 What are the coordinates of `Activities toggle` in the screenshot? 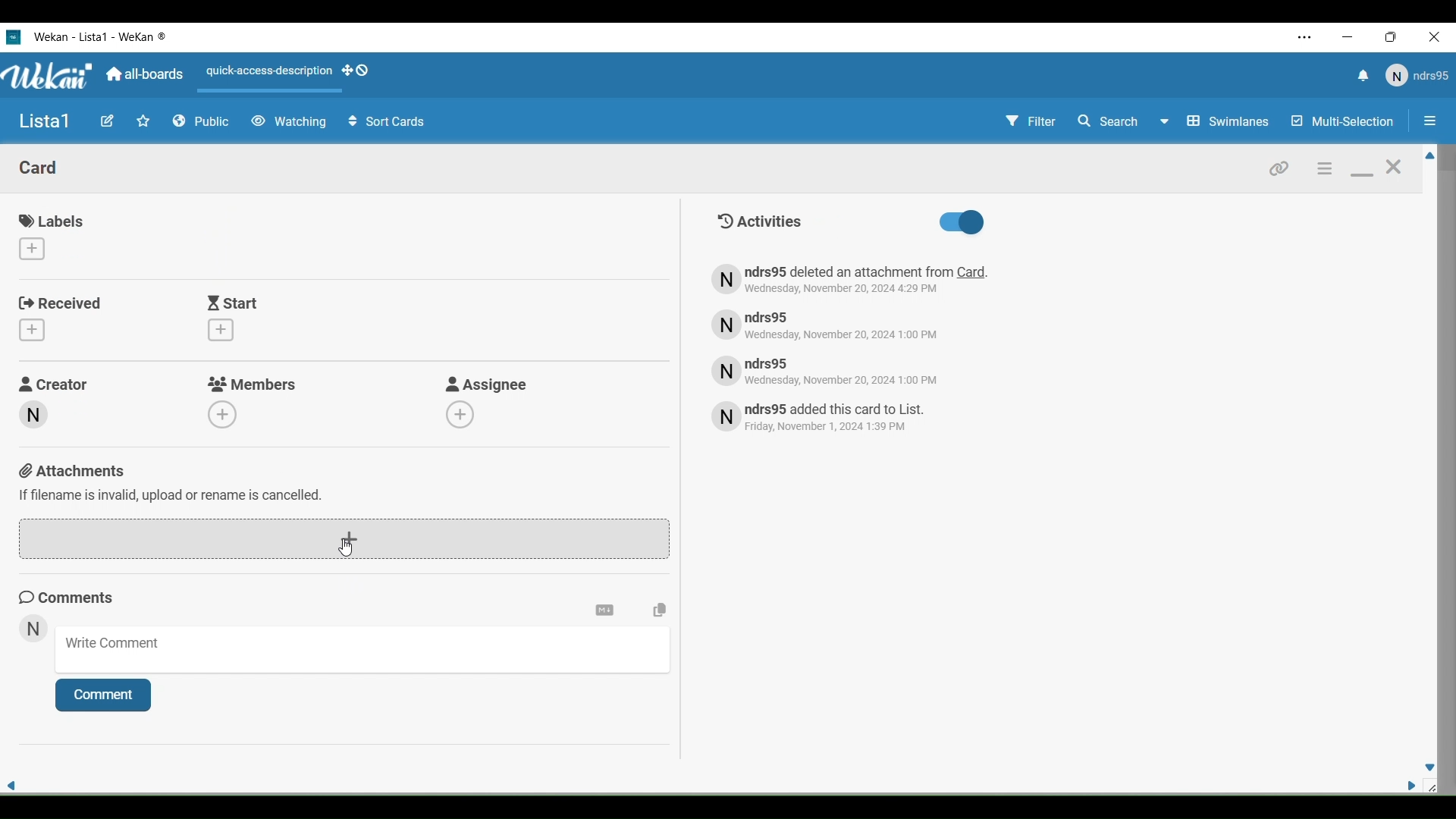 It's located at (961, 223).